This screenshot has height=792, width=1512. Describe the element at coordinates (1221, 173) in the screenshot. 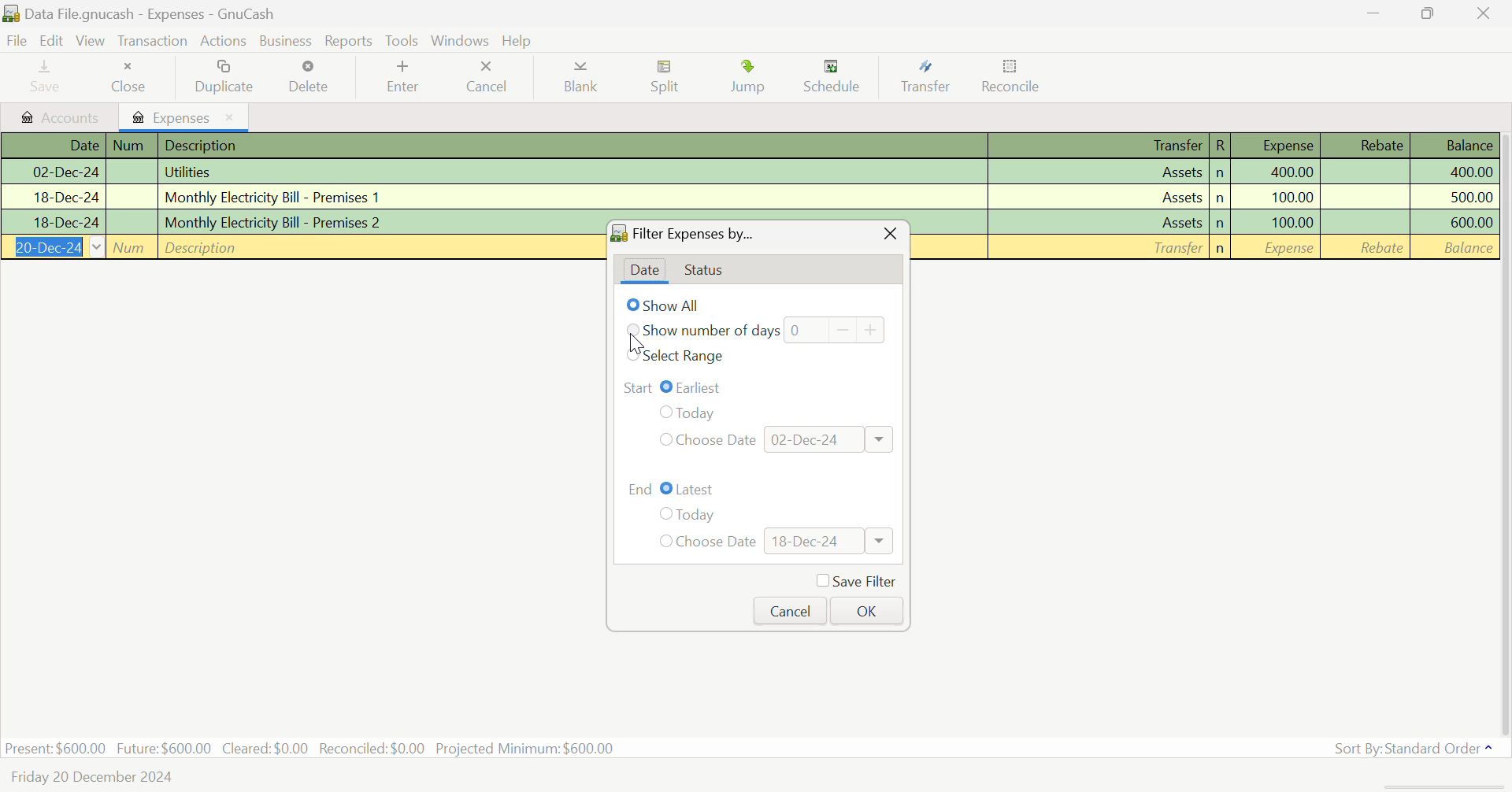

I see `n` at that location.